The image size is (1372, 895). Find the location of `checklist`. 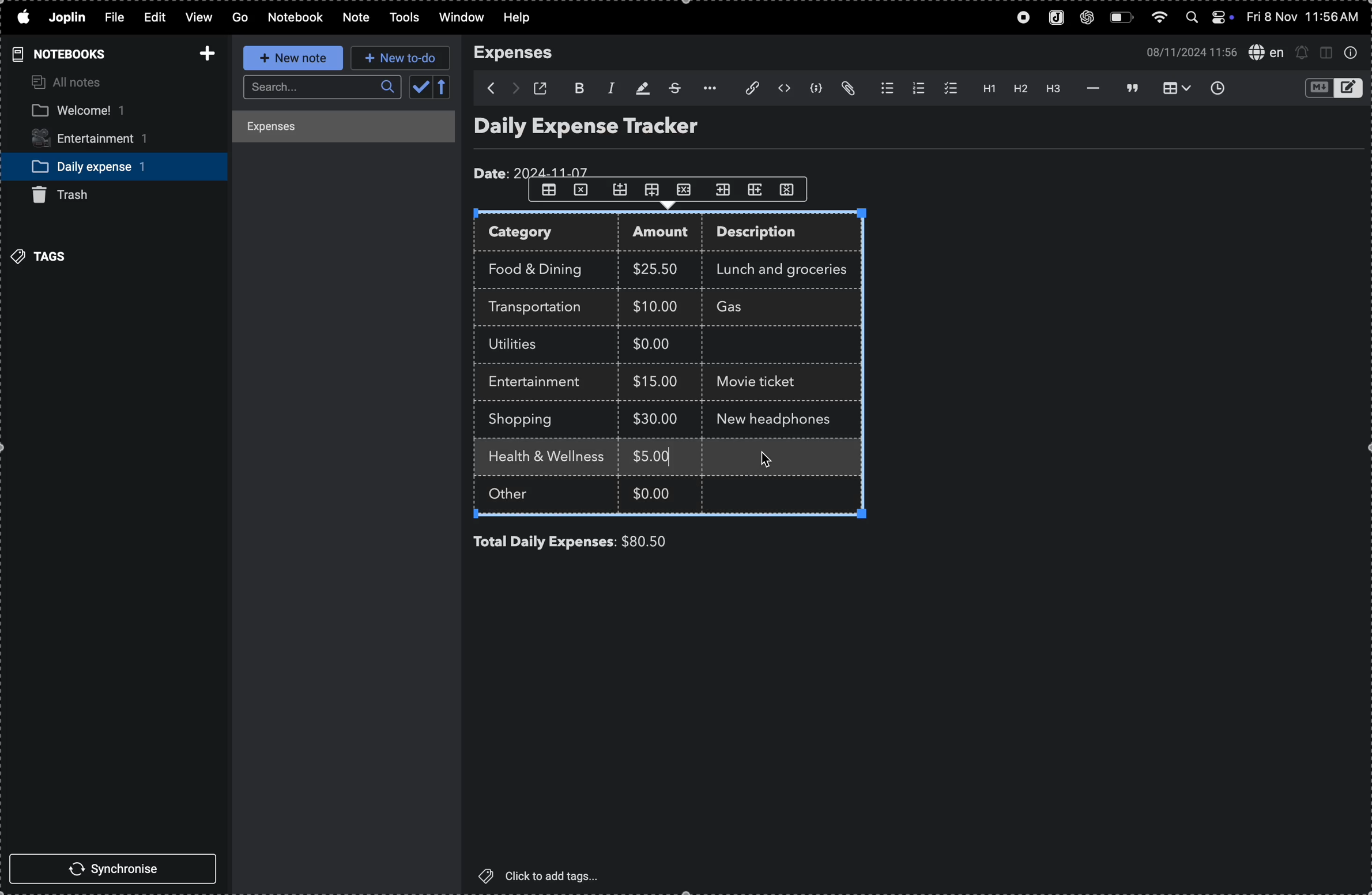

checklist is located at coordinates (948, 88).